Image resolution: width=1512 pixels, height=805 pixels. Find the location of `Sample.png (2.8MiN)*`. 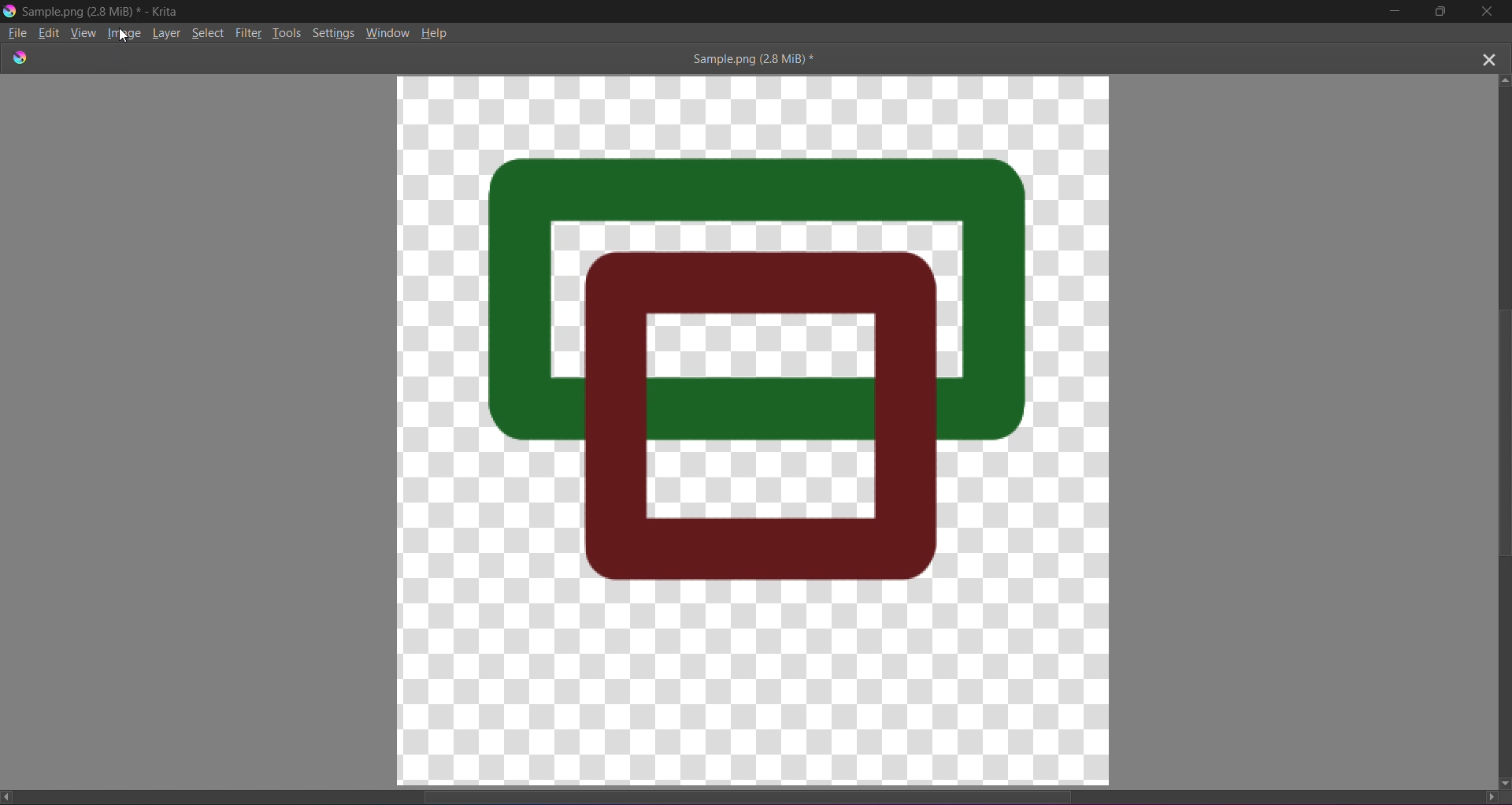

Sample.png (2.8MiN)* is located at coordinates (749, 58).